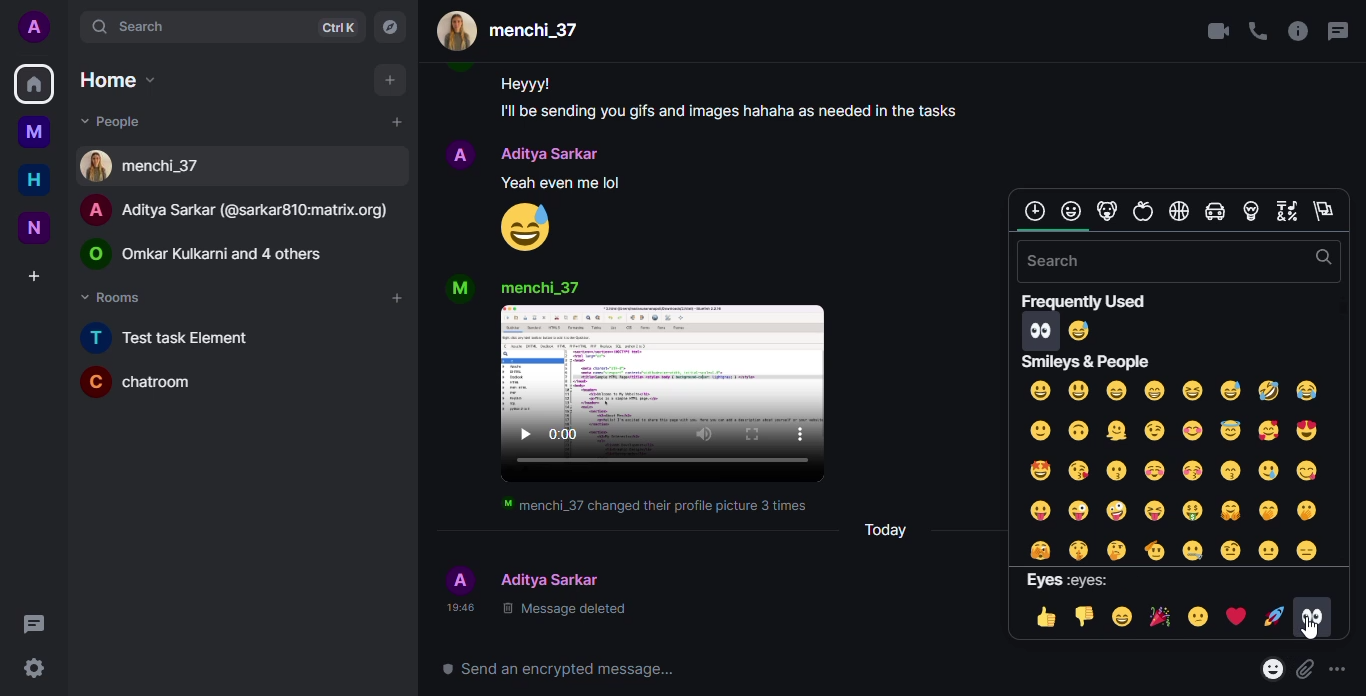 Image resolution: width=1366 pixels, height=696 pixels. I want to click on people, so click(553, 153).